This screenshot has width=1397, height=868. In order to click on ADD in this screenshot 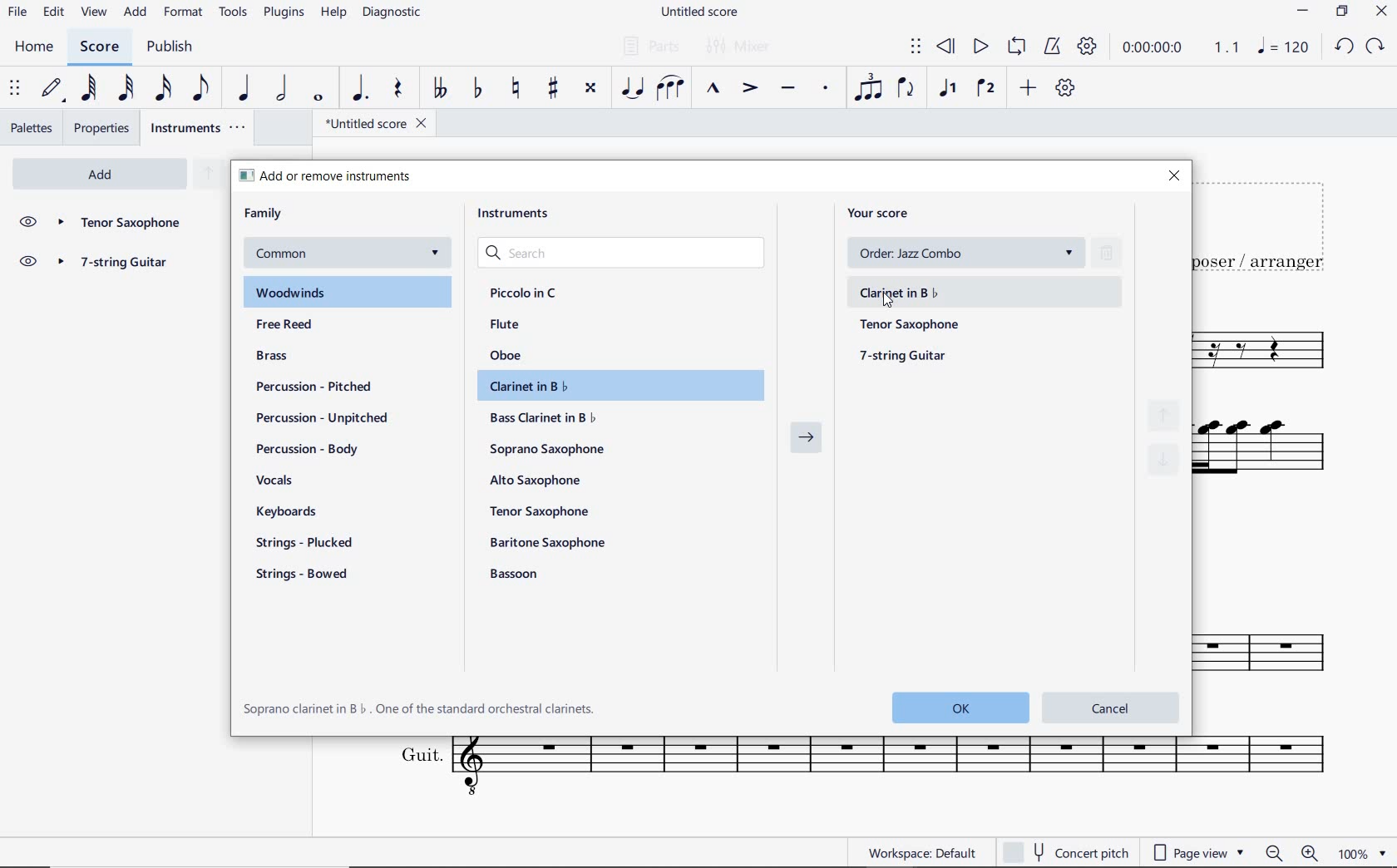, I will do `click(136, 13)`.